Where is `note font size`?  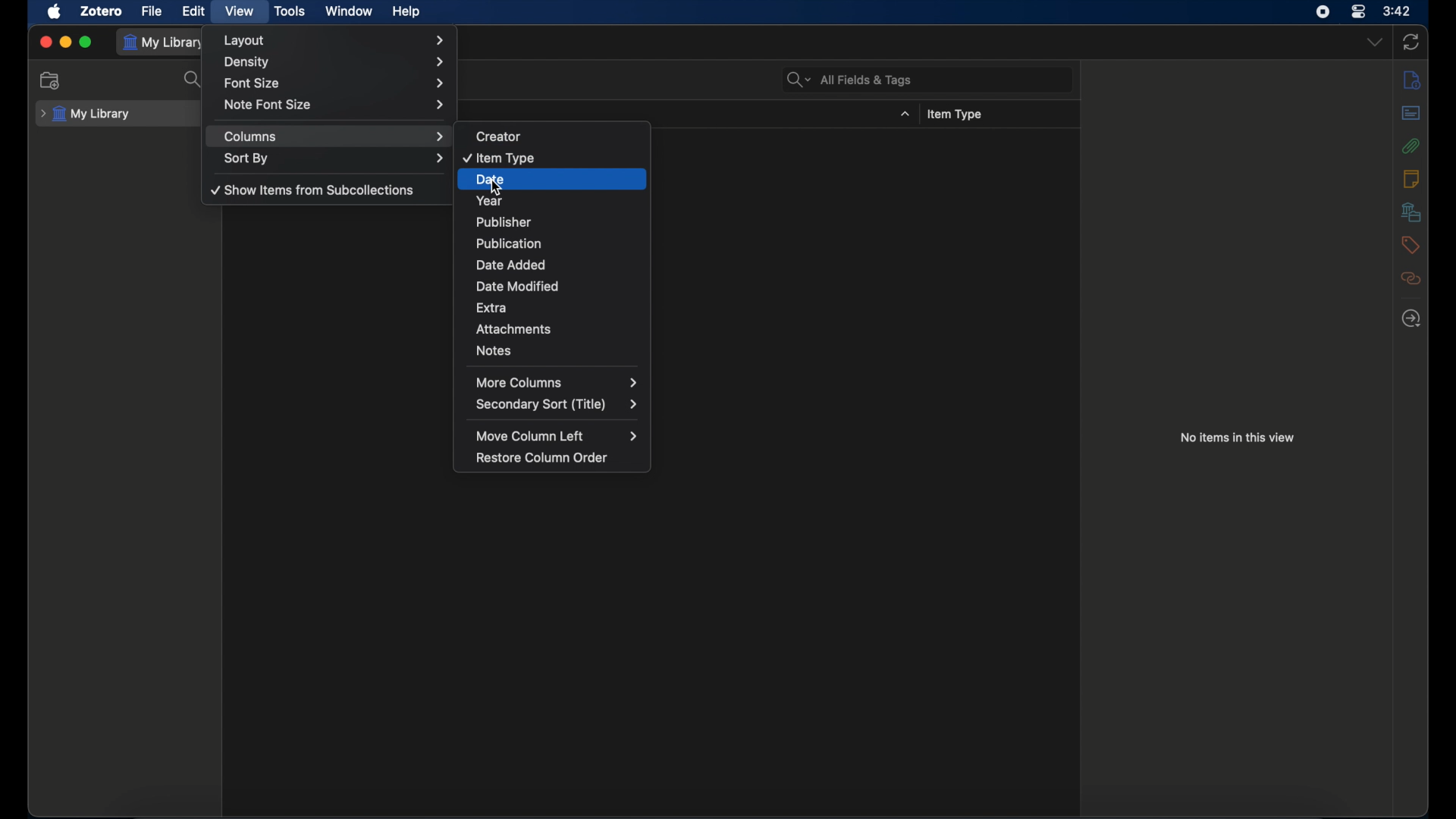 note font size is located at coordinates (338, 104).